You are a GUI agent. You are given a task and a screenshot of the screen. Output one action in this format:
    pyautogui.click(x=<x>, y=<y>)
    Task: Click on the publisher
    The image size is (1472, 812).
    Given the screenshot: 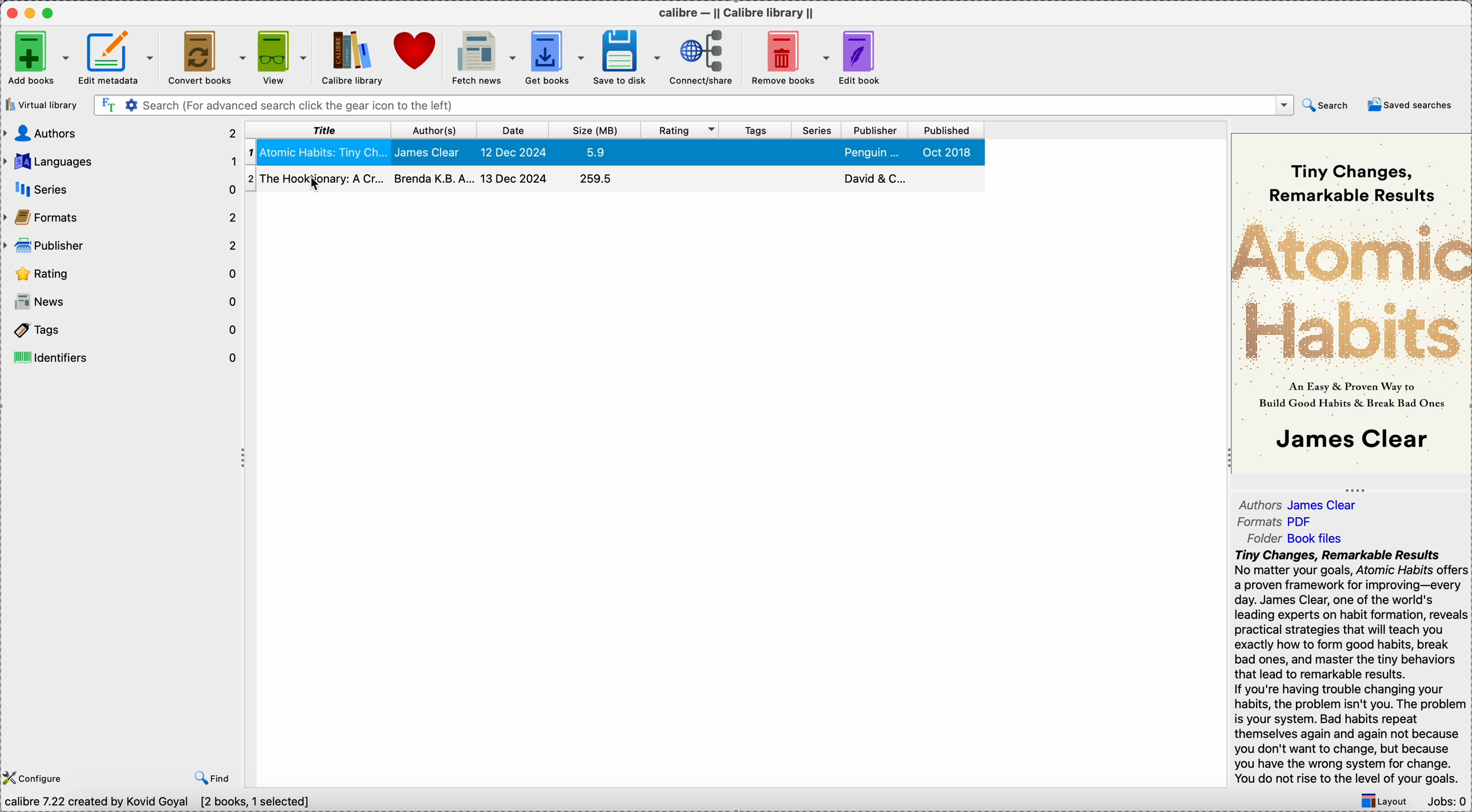 What is the action you would take?
    pyautogui.click(x=121, y=246)
    